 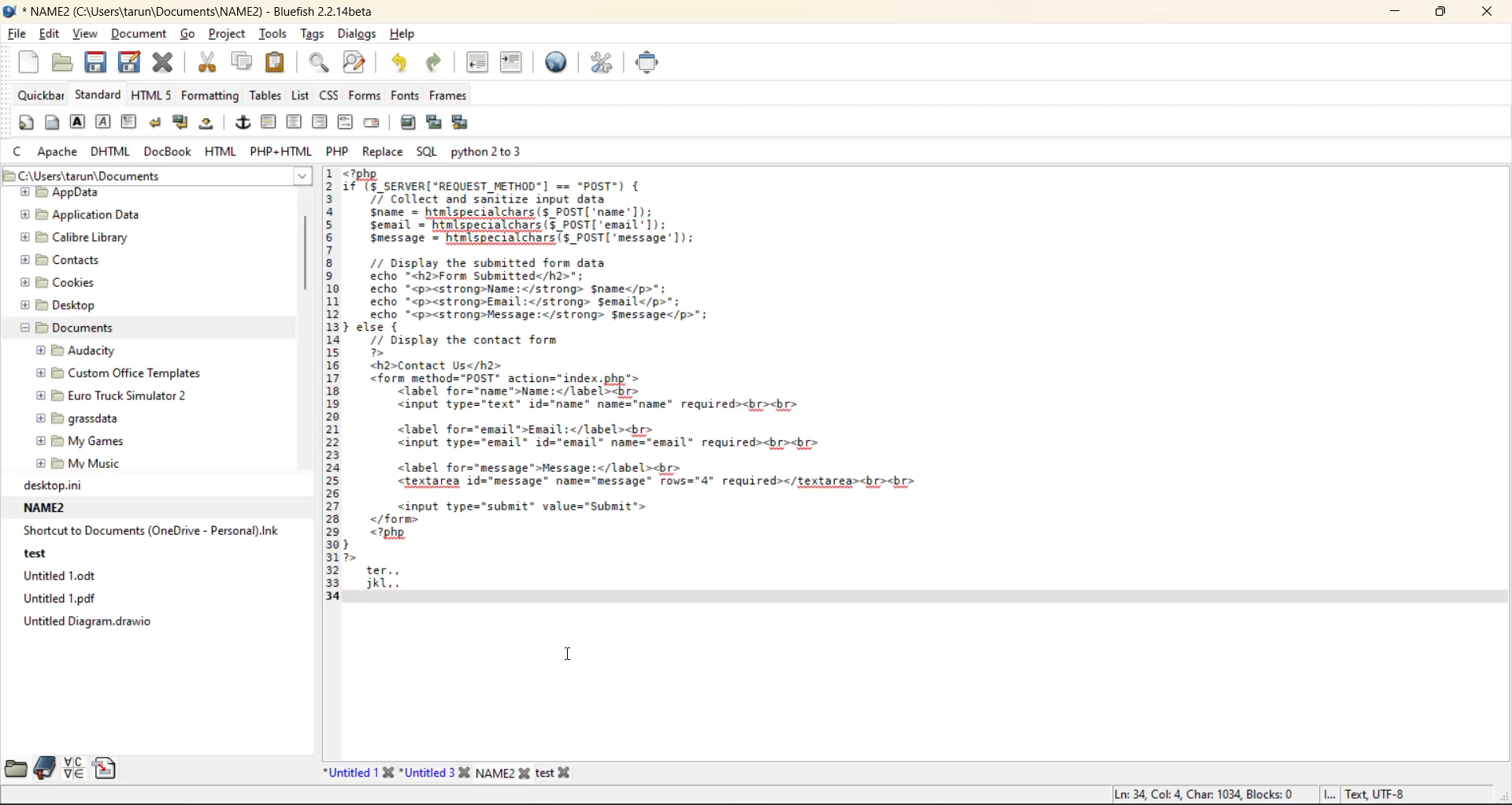 What do you see at coordinates (506, 772) in the screenshot?
I see `NAME2` at bounding box center [506, 772].